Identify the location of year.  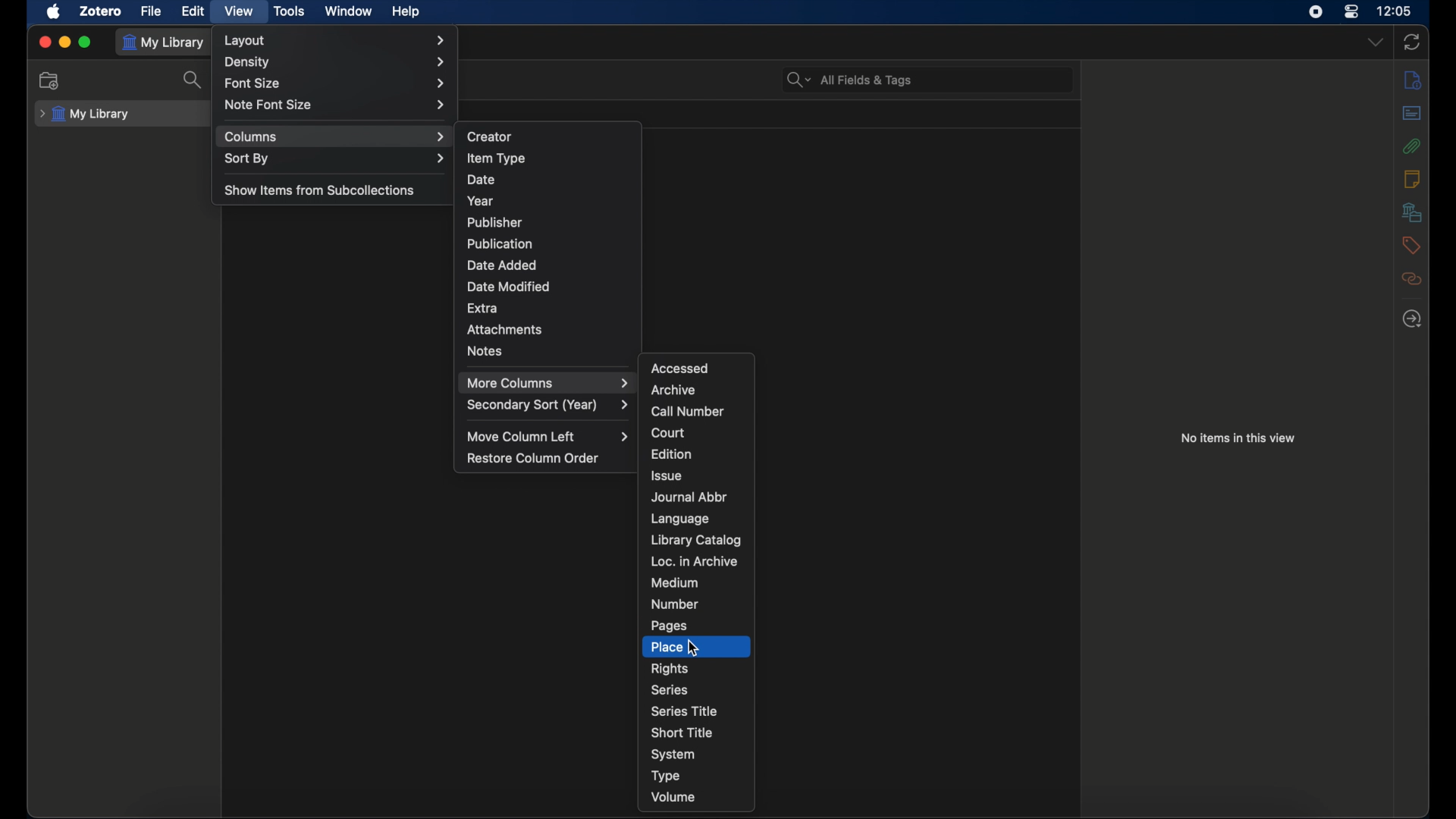
(481, 201).